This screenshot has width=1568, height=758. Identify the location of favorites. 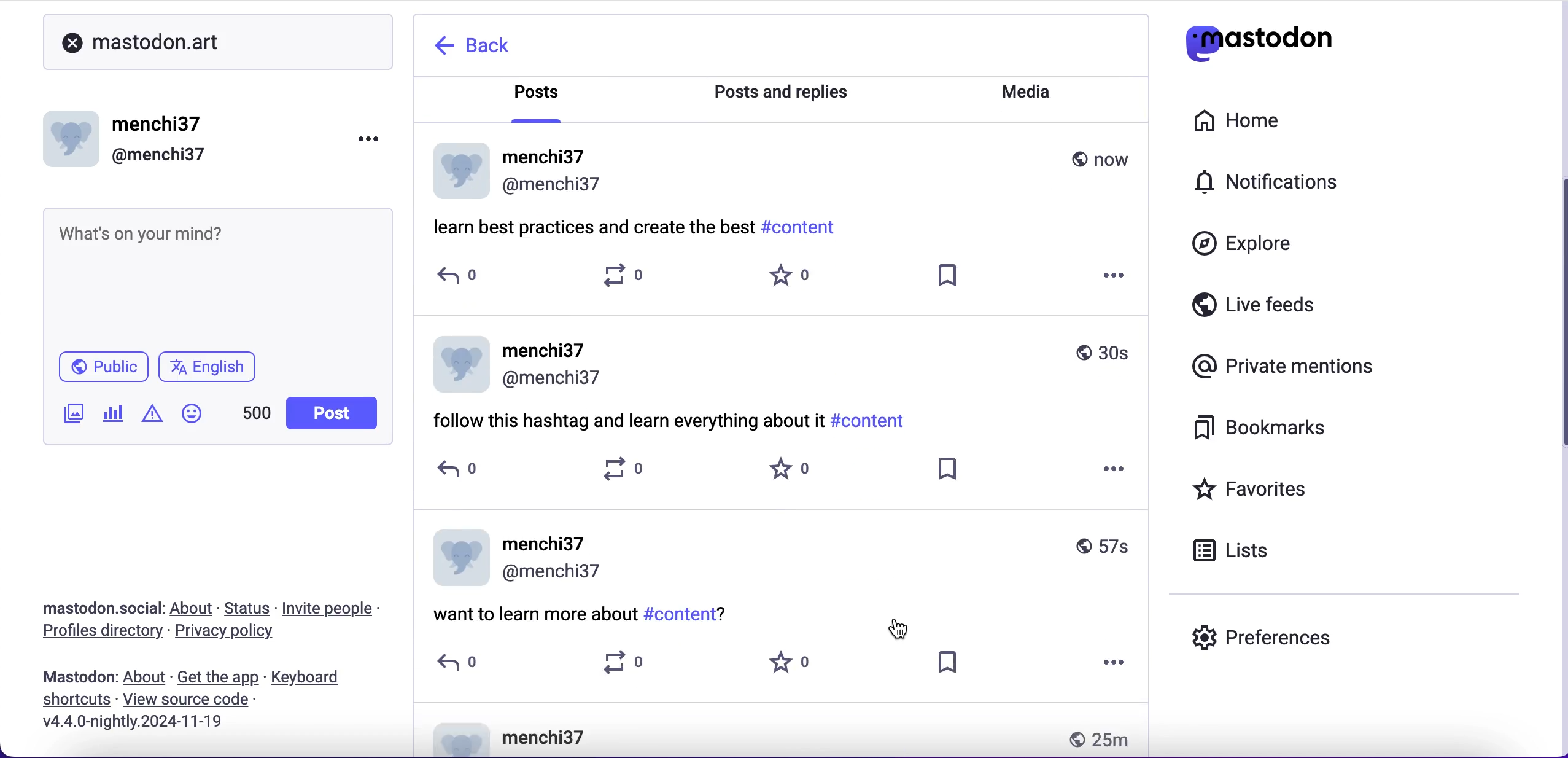
(1282, 488).